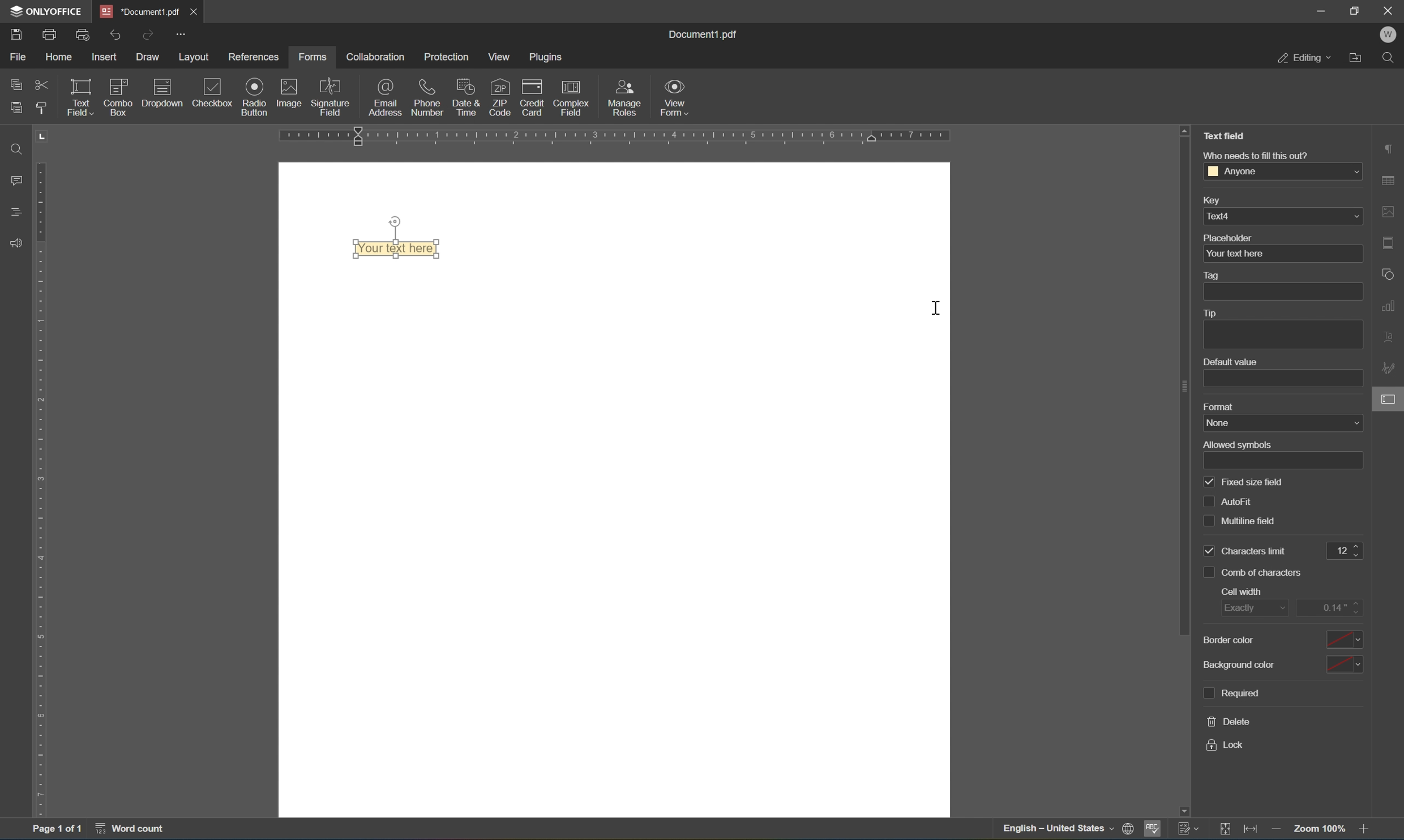 This screenshot has width=1404, height=840. What do you see at coordinates (1259, 521) in the screenshot?
I see `multiline fit` at bounding box center [1259, 521].